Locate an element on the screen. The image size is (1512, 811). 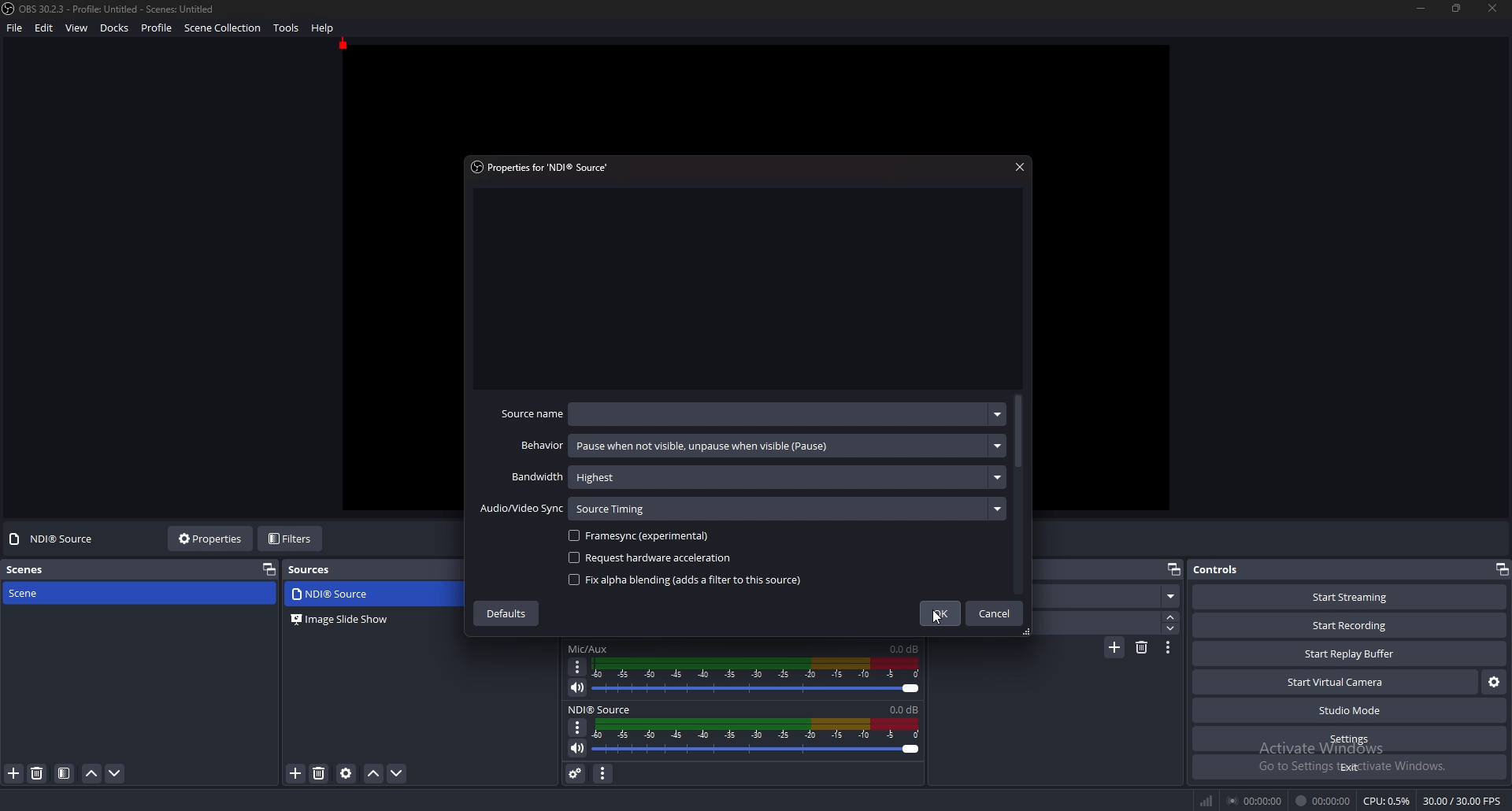
file name is located at coordinates (110, 9).